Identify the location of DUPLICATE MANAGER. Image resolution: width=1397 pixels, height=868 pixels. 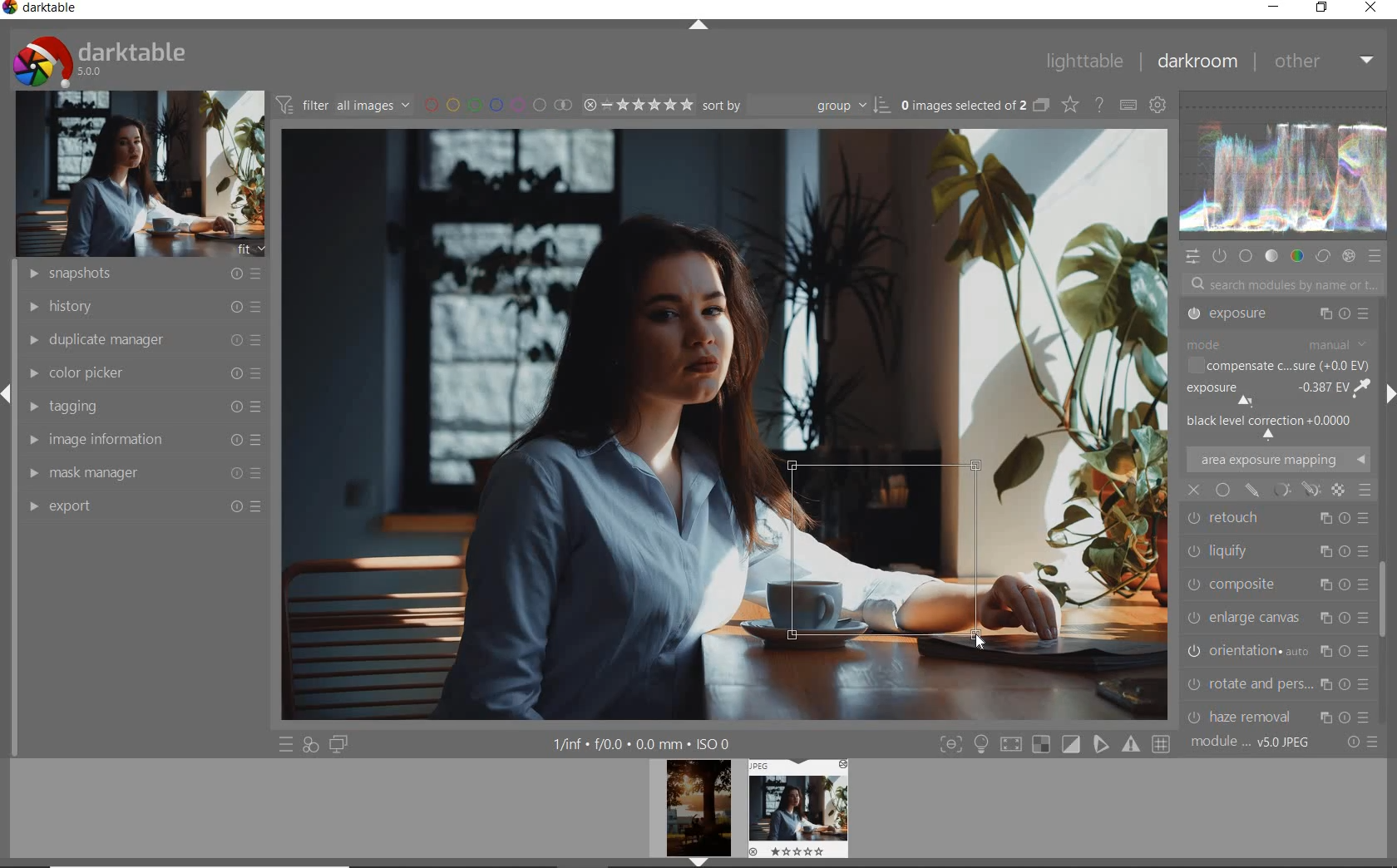
(141, 340).